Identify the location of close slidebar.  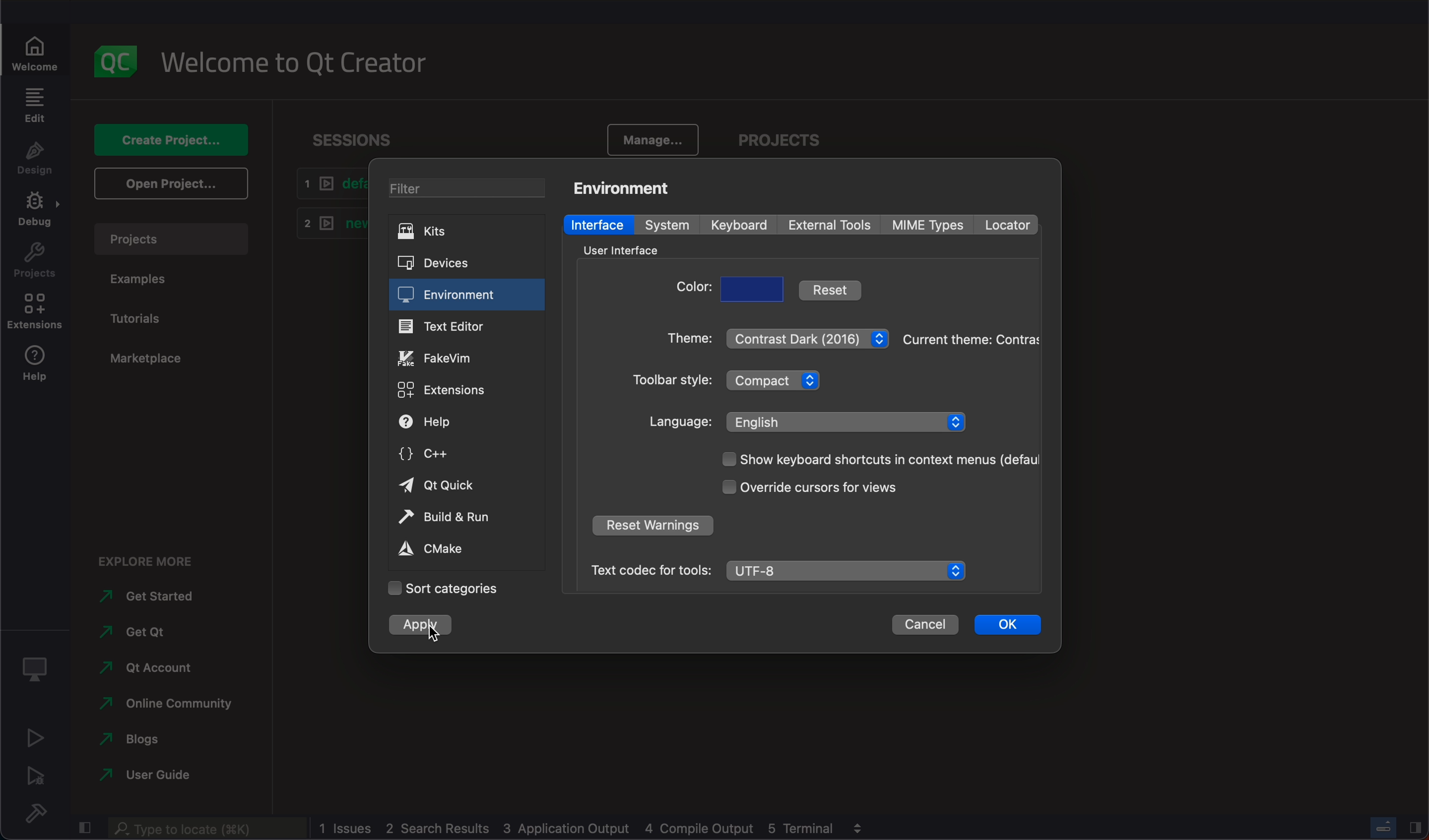
(1415, 828).